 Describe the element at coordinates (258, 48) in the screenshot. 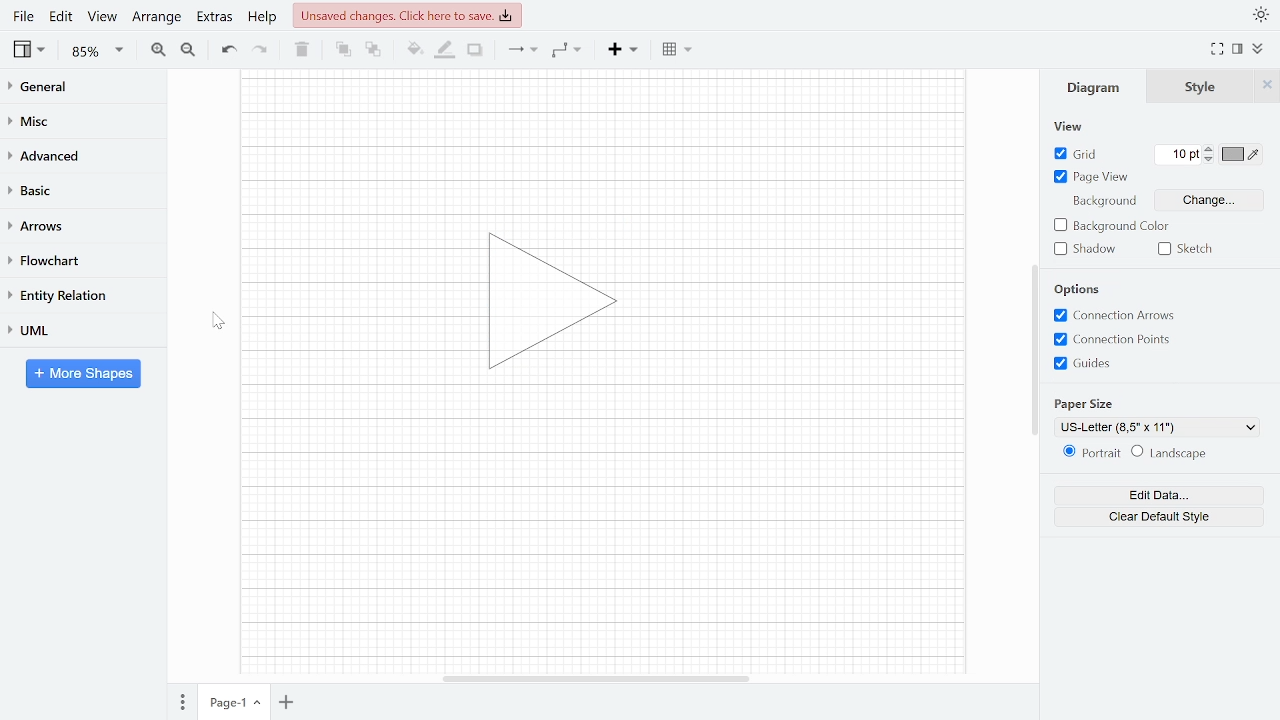

I see `Redo` at that location.